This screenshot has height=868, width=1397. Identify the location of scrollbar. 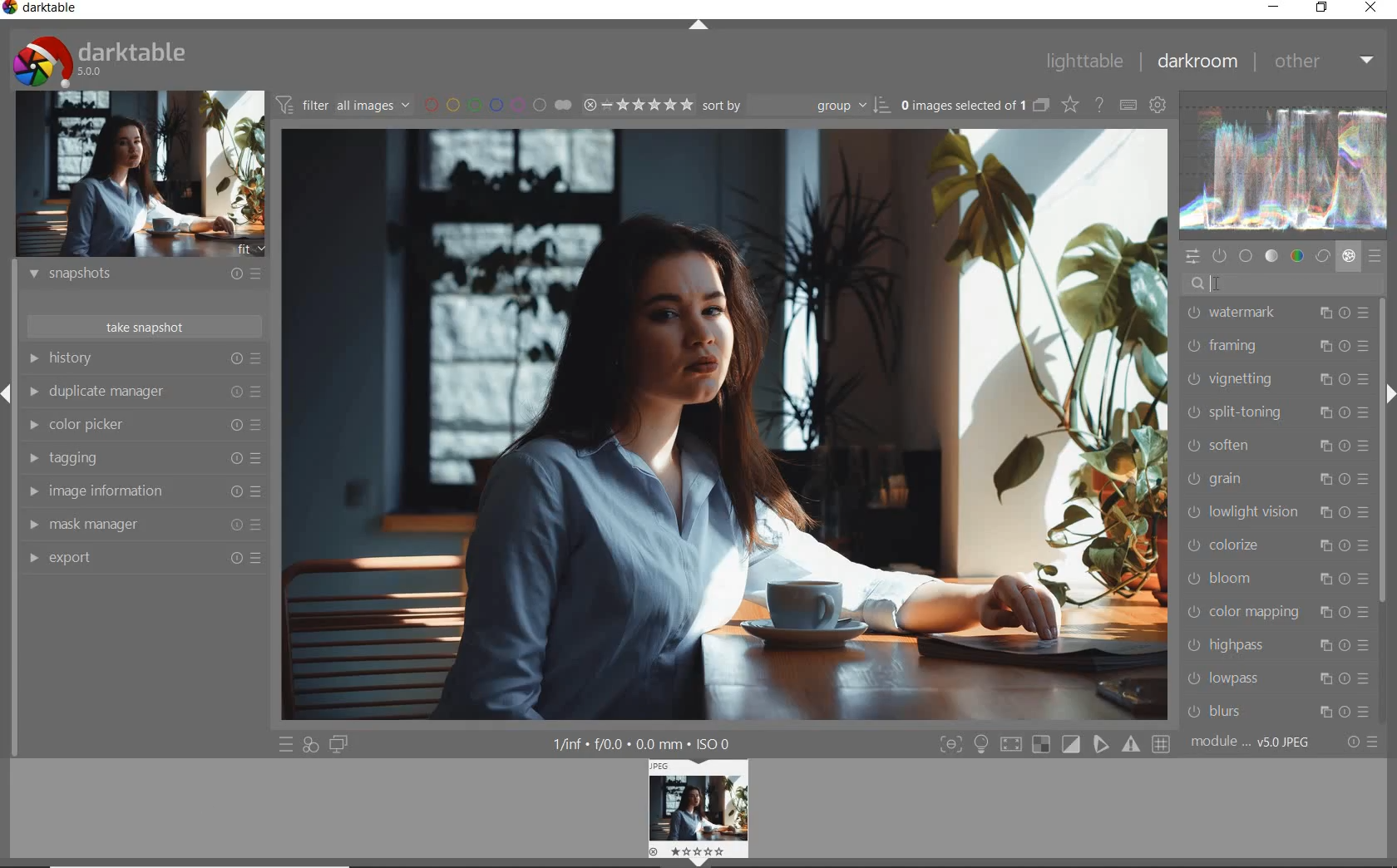
(1383, 453).